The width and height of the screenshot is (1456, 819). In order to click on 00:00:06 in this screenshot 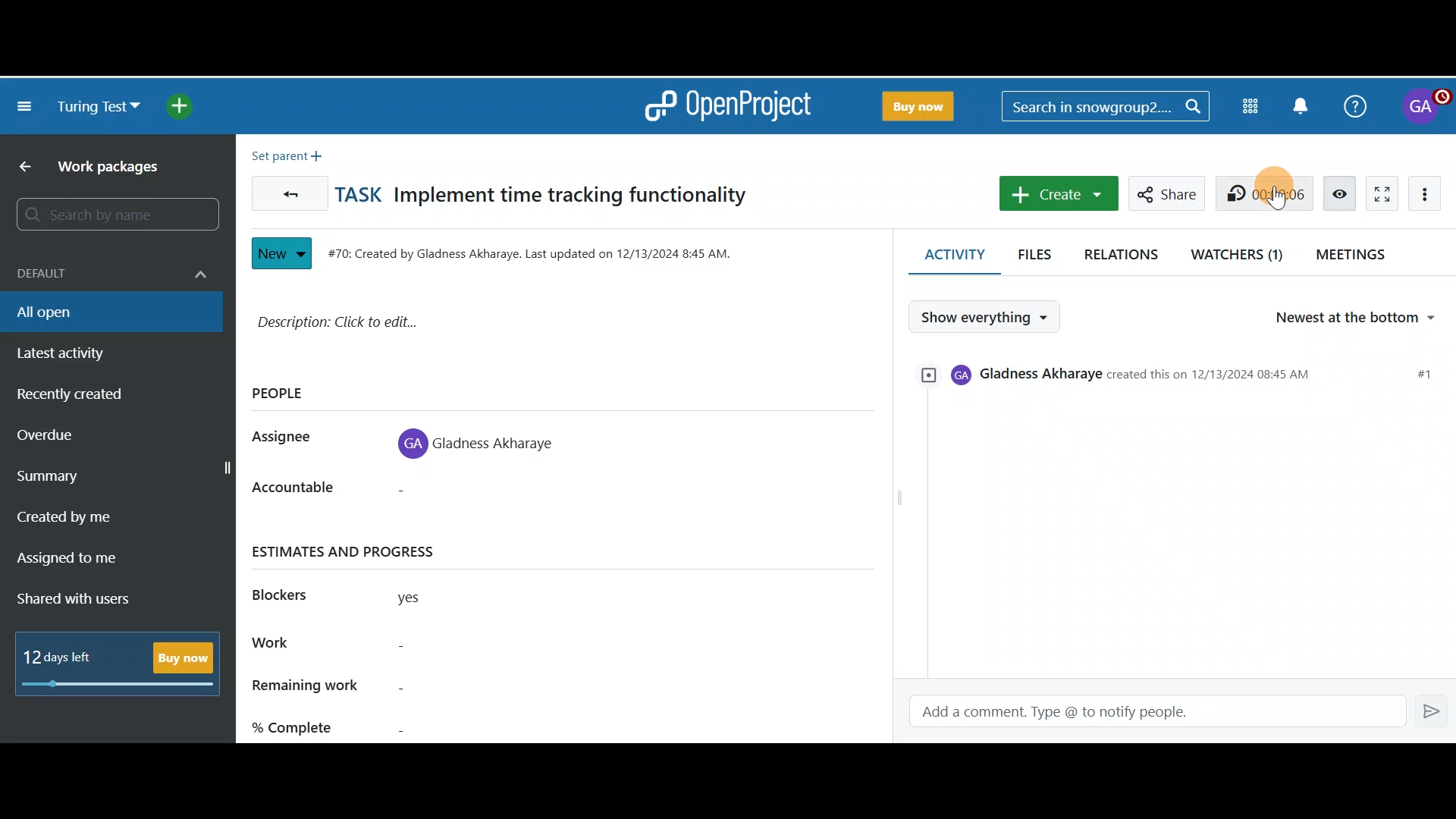, I will do `click(1268, 193)`.